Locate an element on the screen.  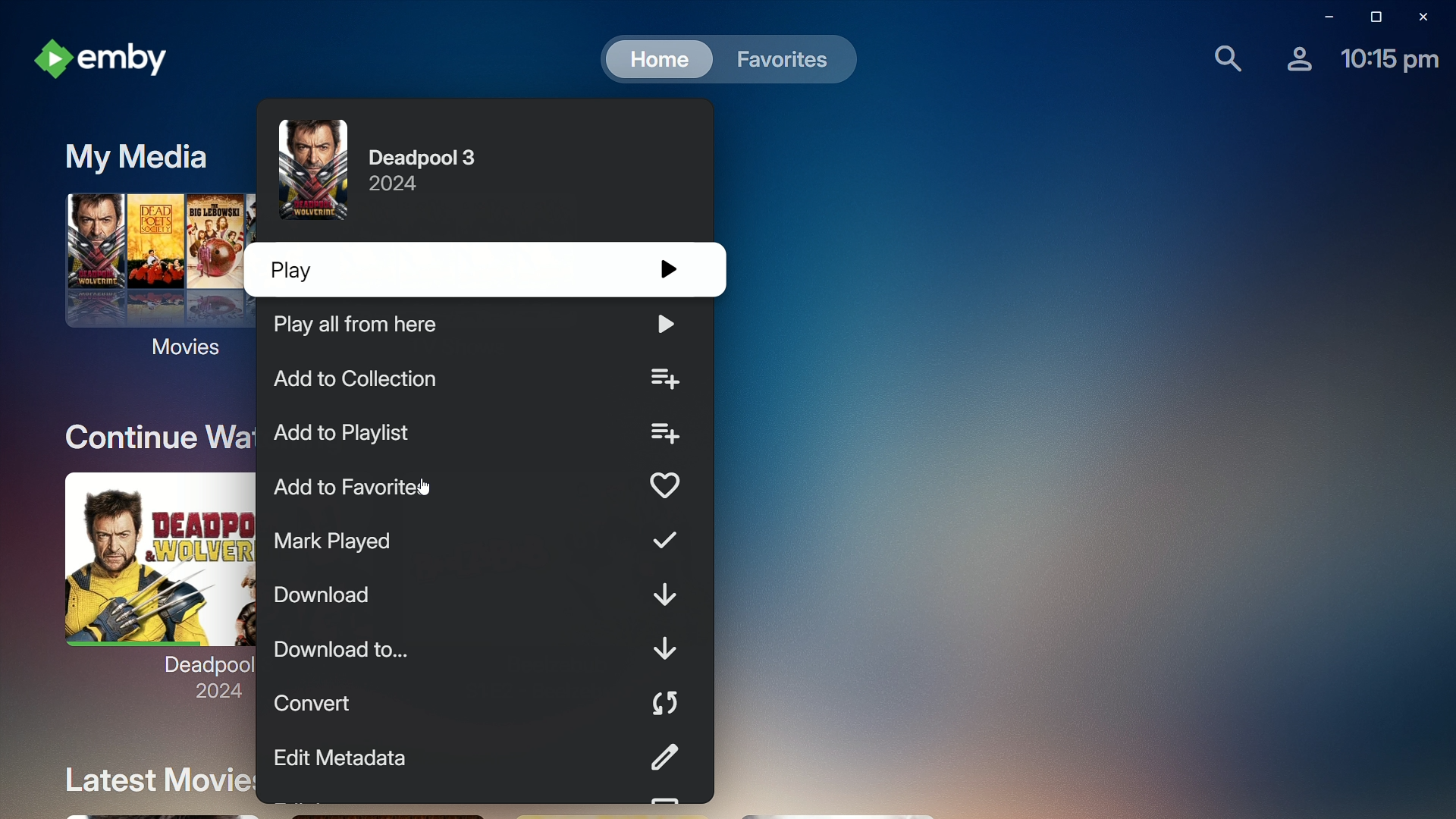
Account is located at coordinates (1292, 61).